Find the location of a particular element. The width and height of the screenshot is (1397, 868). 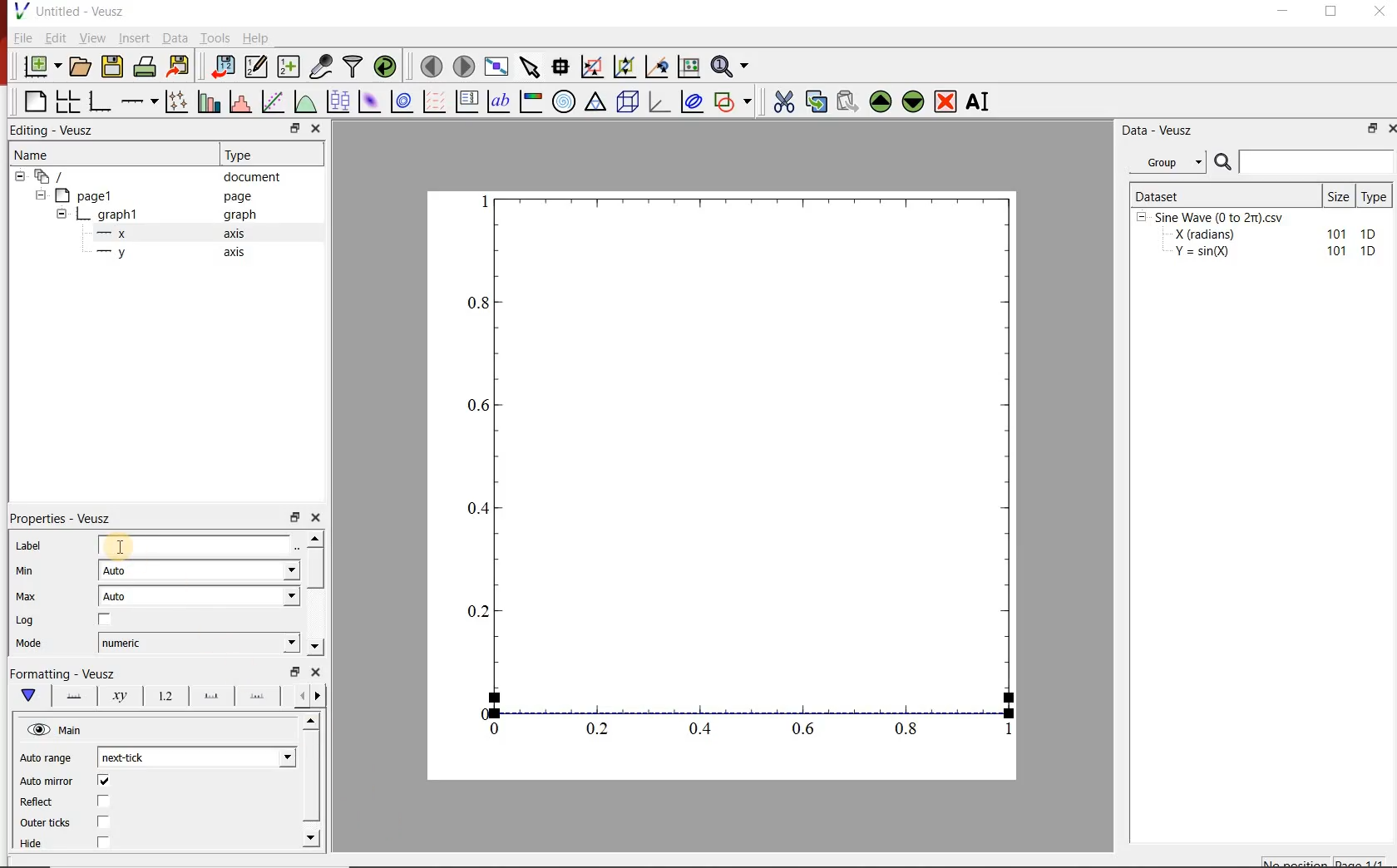

plot a function is located at coordinates (307, 101).